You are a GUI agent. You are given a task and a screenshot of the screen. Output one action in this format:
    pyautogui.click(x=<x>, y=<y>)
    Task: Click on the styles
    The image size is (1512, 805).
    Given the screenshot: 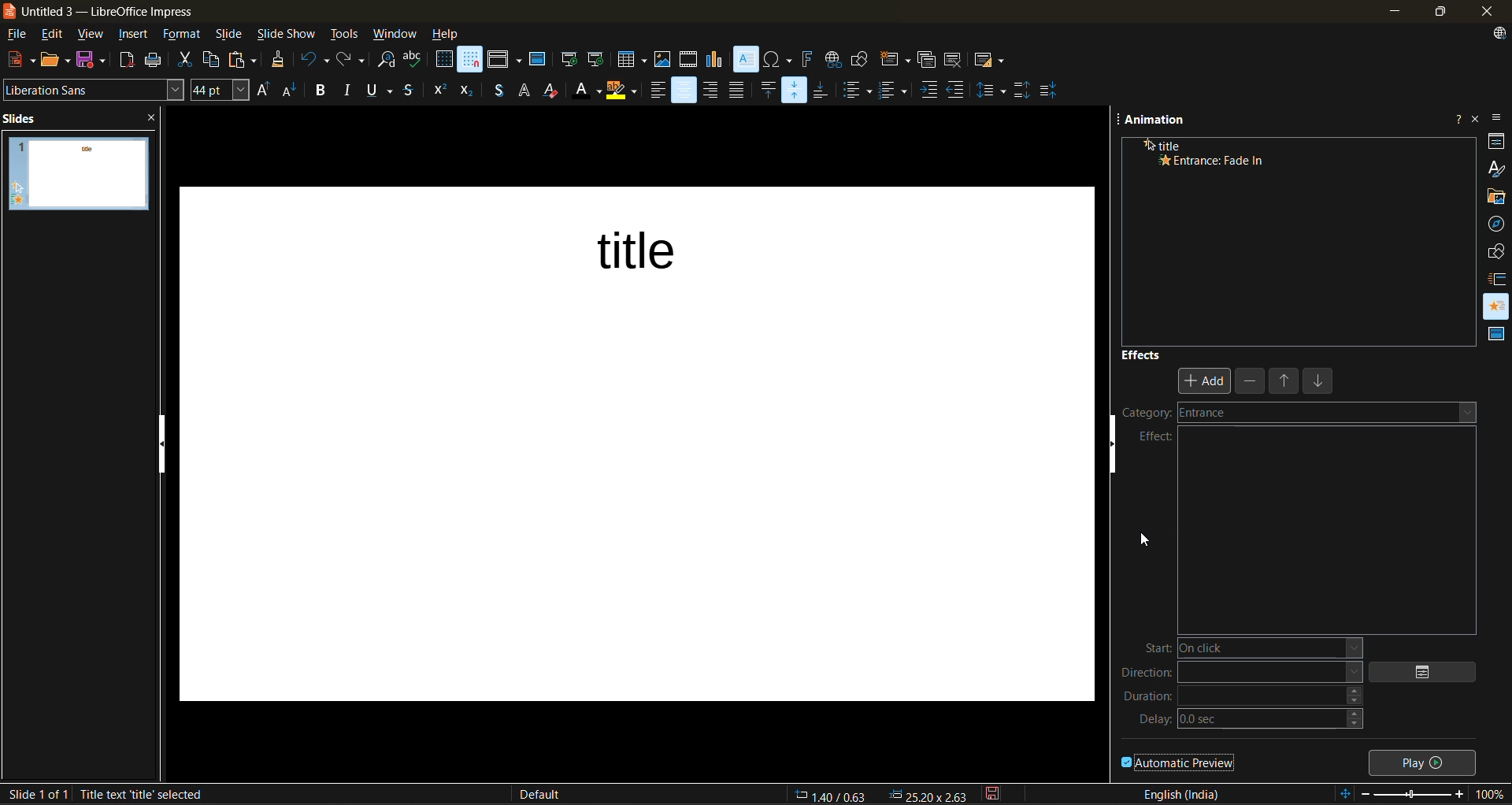 What is the action you would take?
    pyautogui.click(x=1497, y=167)
    